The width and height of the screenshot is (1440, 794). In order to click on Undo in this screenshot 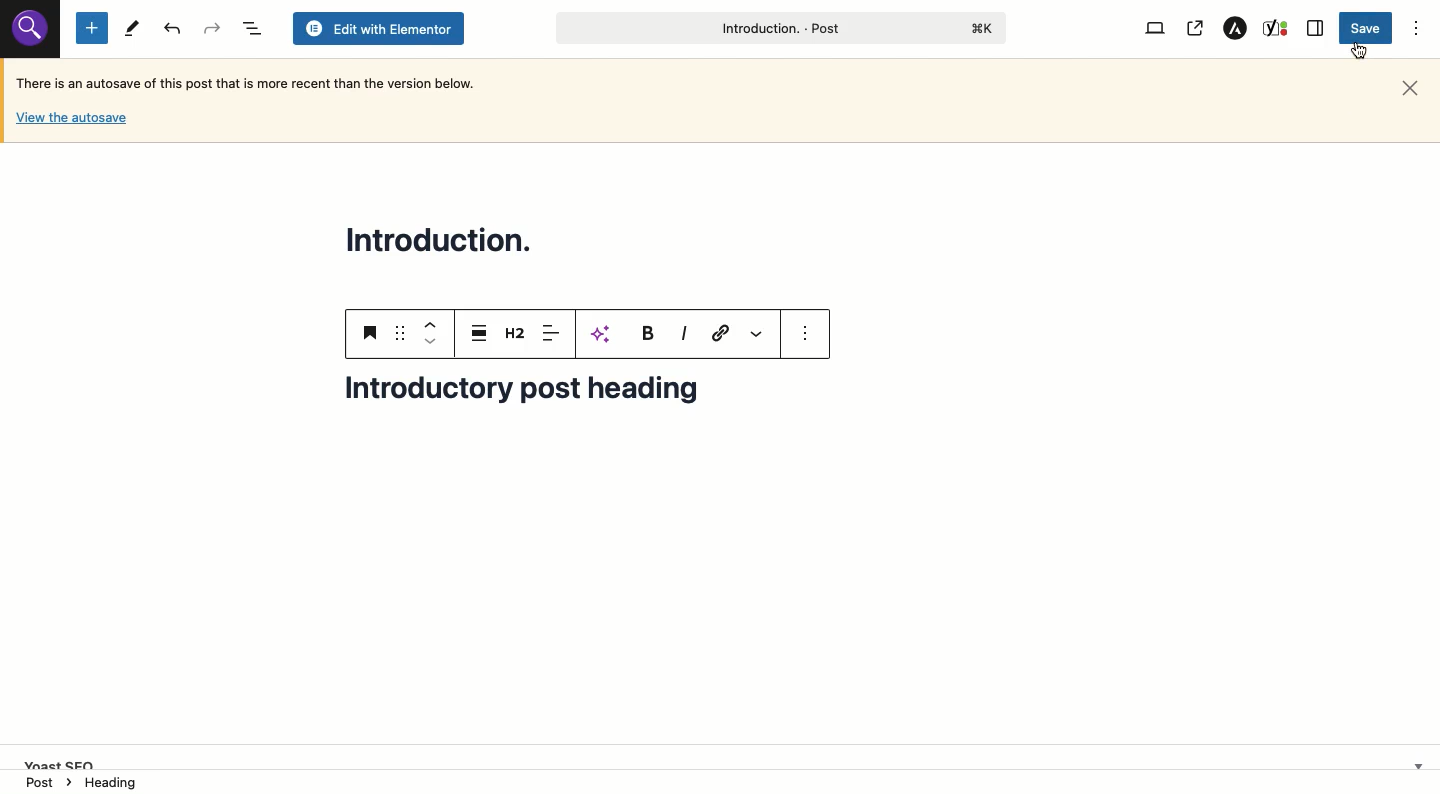, I will do `click(211, 28)`.